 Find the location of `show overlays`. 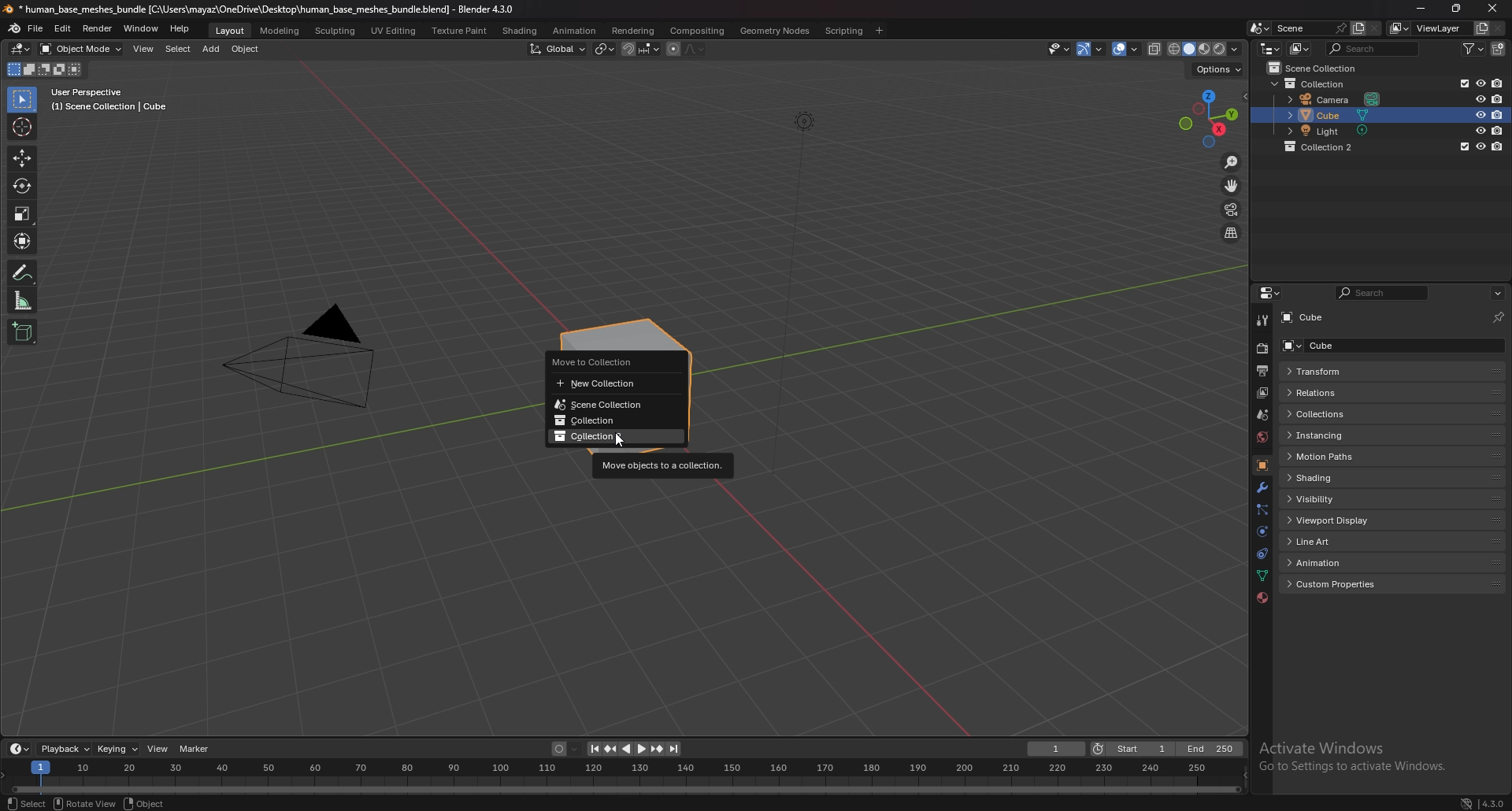

show overlays is located at coordinates (1127, 48).